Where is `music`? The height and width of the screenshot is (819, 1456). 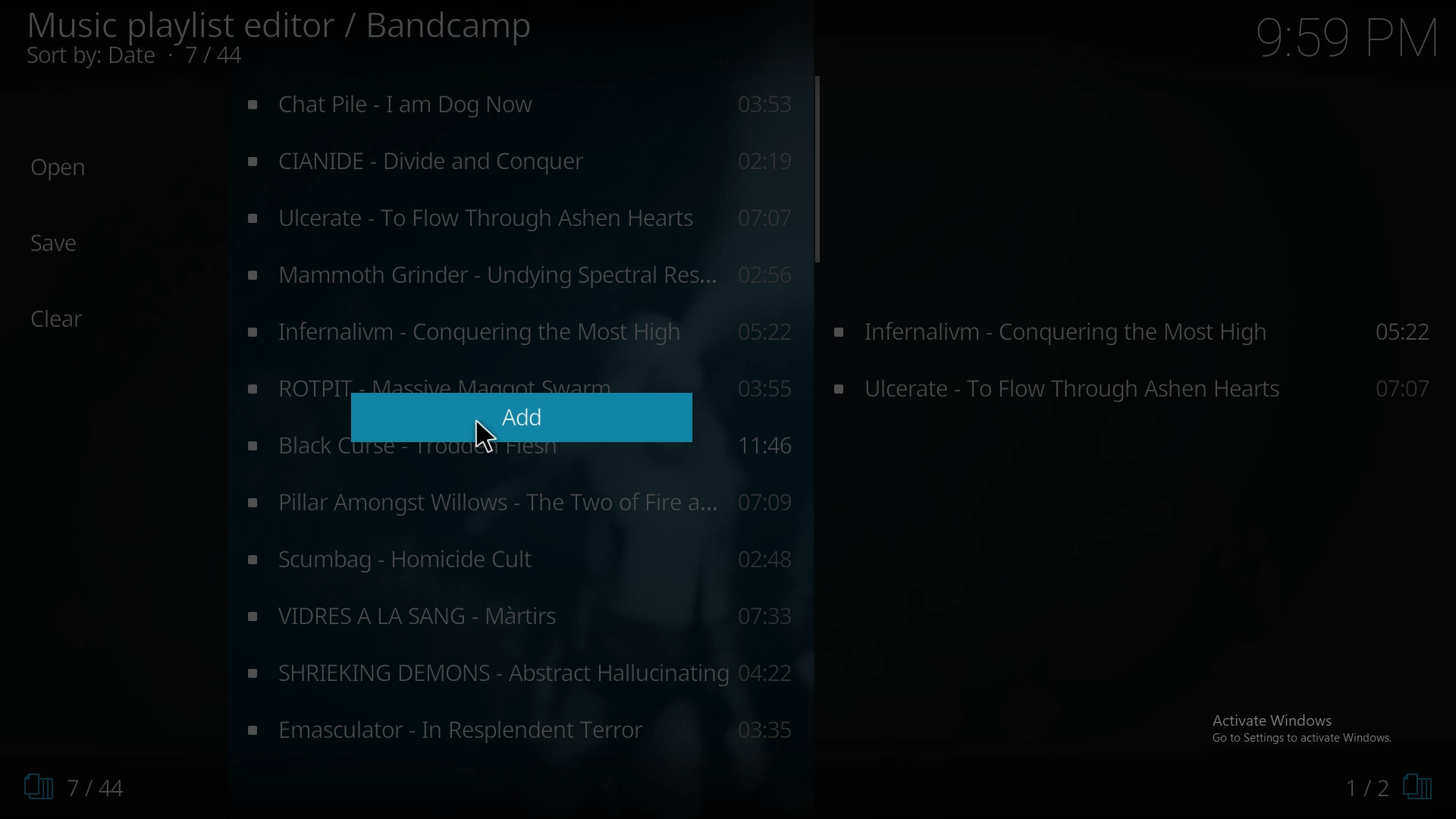
music is located at coordinates (524, 671).